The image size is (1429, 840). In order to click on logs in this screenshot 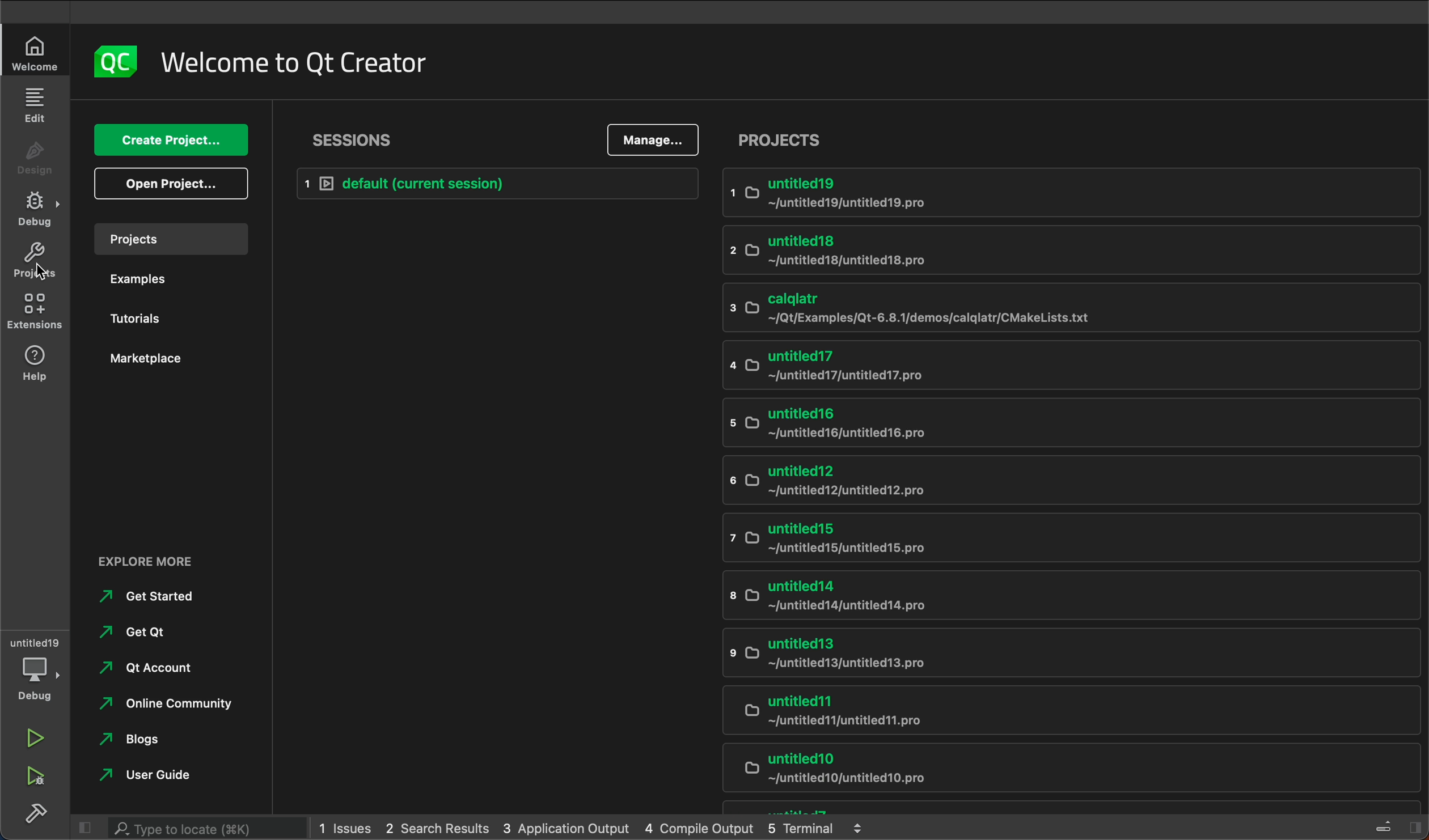, I will do `click(591, 829)`.